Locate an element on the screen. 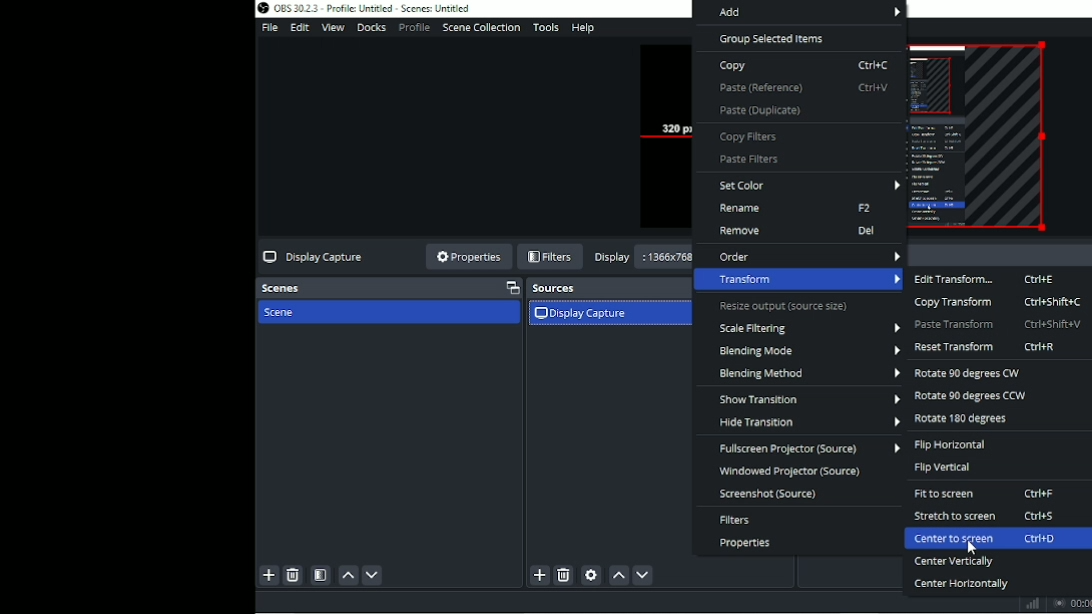 This screenshot has width=1092, height=614. Rotate 90 degrees CW is located at coordinates (974, 373).